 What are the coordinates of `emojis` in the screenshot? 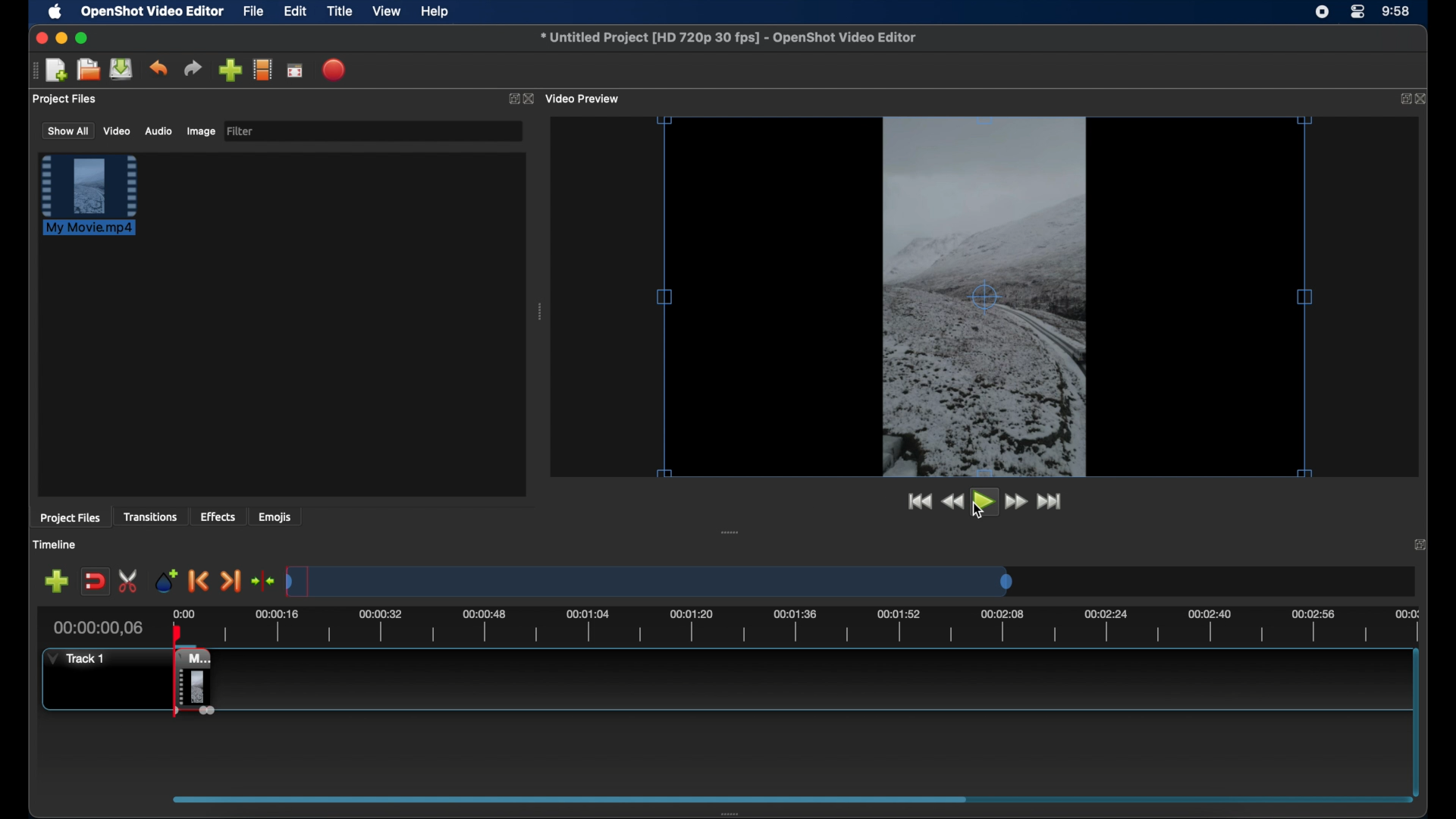 It's located at (275, 516).